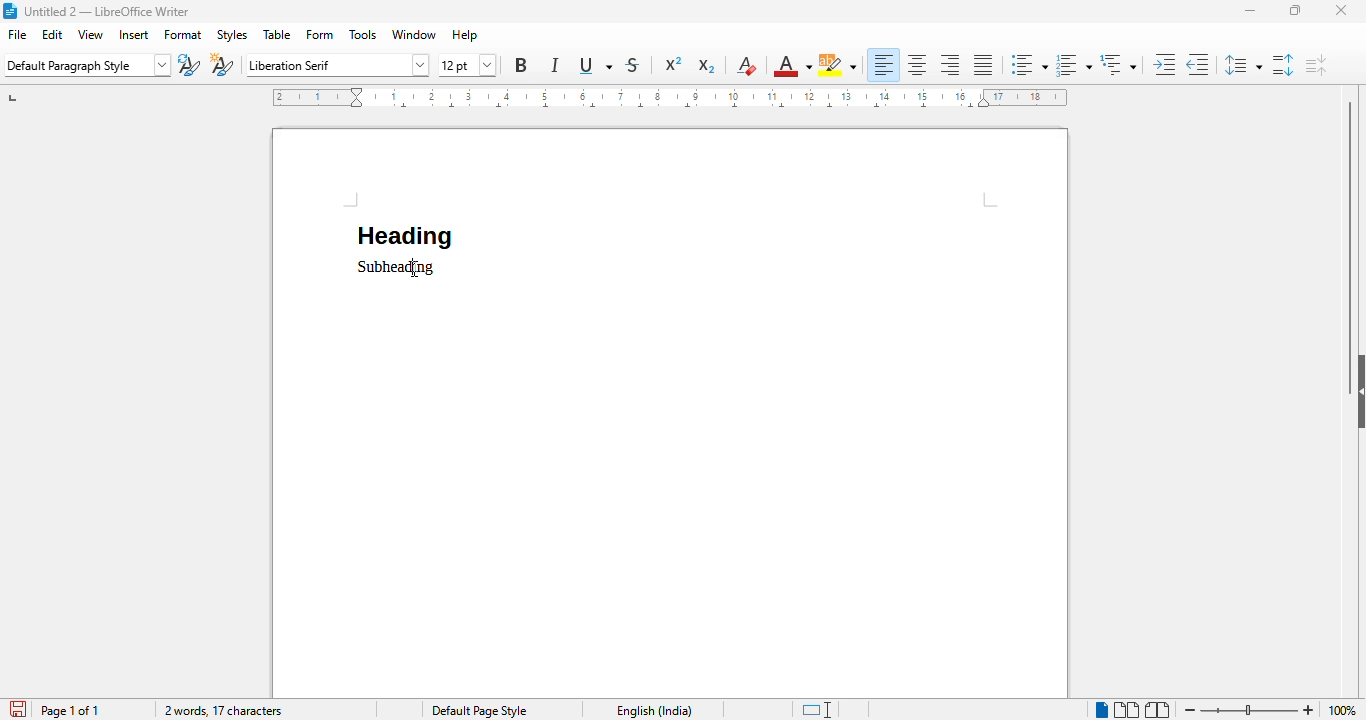 This screenshot has height=720, width=1366. What do you see at coordinates (1028, 65) in the screenshot?
I see `toggle unordered list` at bounding box center [1028, 65].